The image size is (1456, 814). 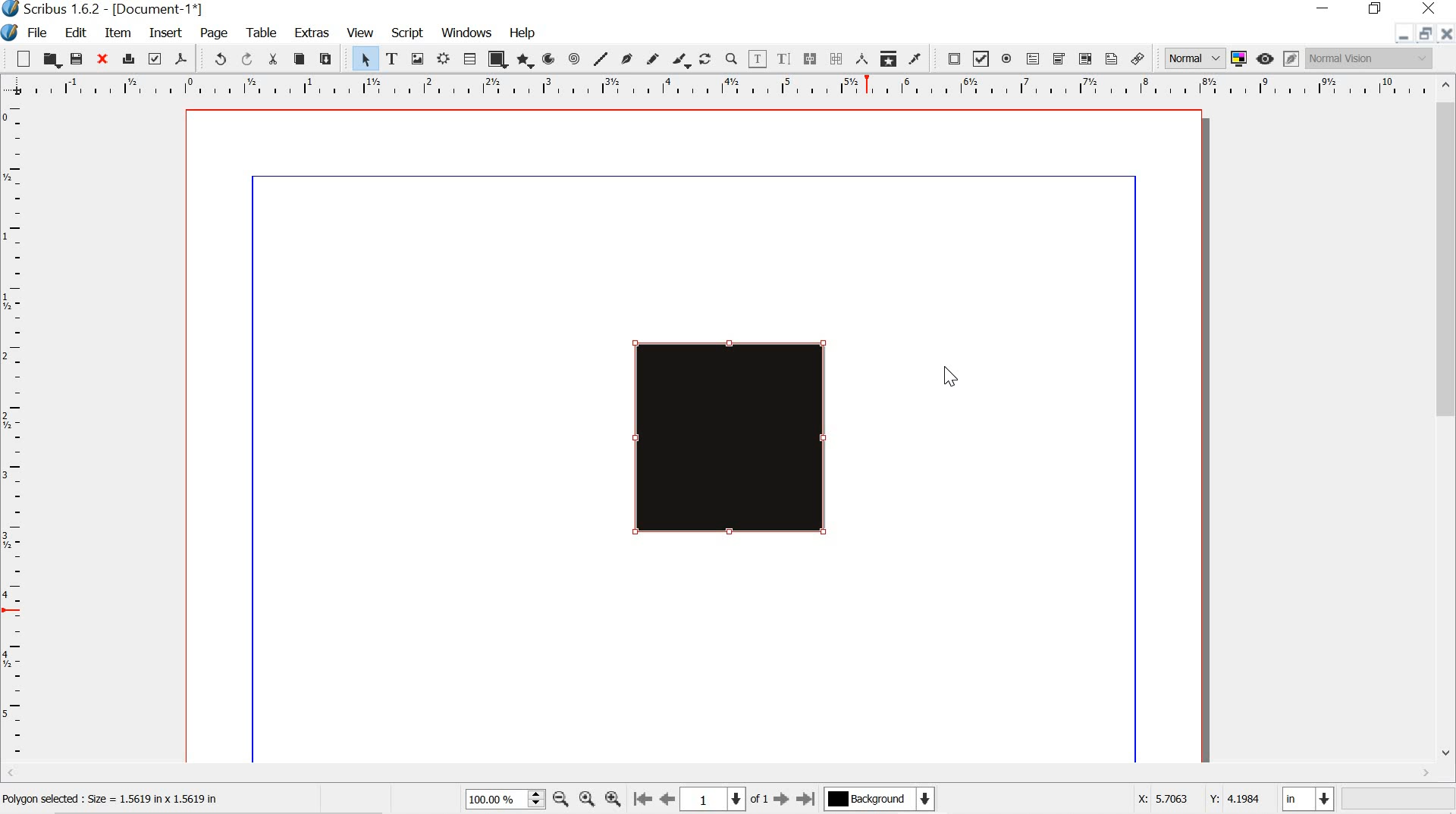 I want to click on eye dropper, so click(x=919, y=58).